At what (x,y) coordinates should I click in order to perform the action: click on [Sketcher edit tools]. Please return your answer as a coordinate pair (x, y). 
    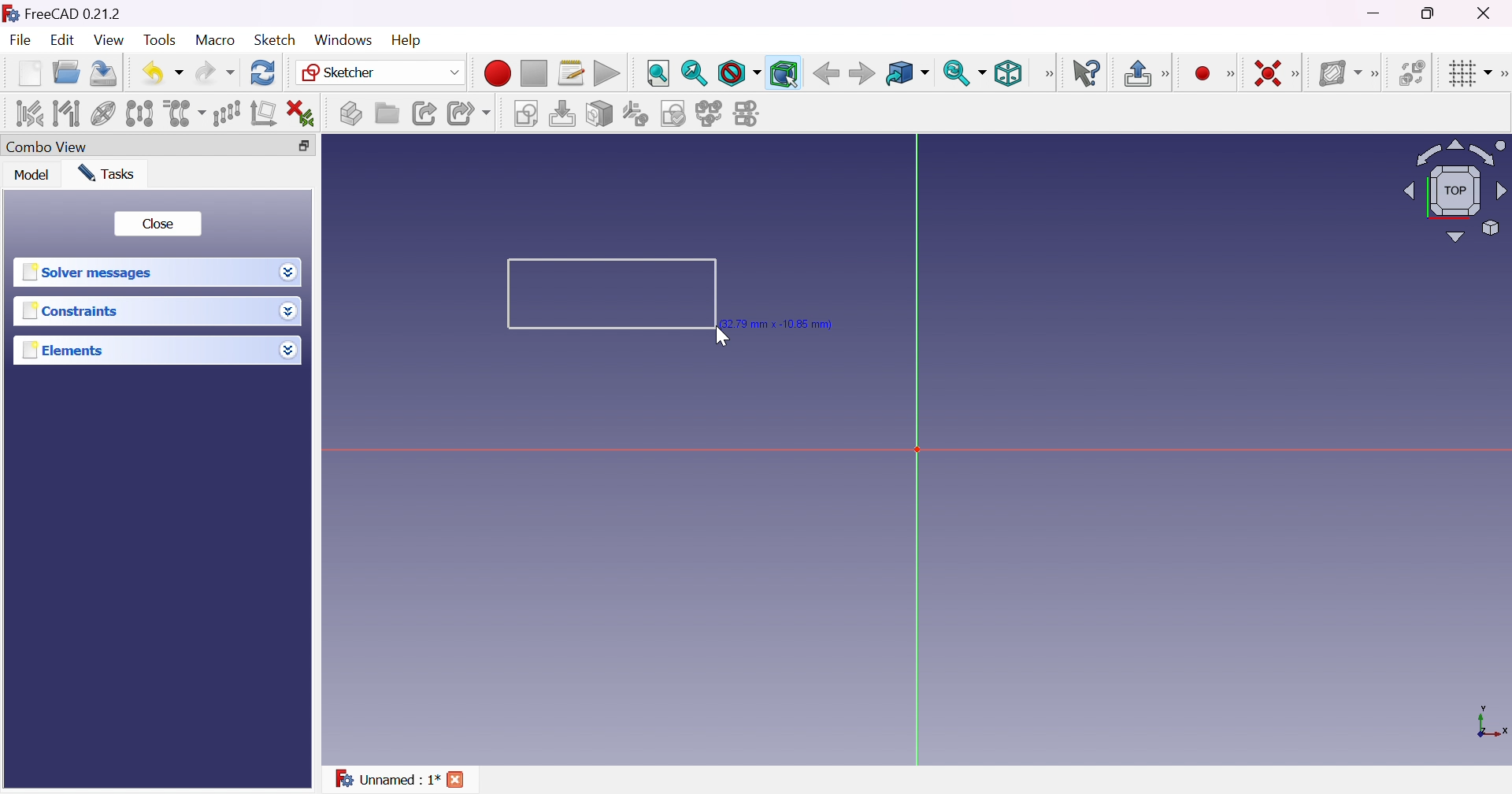
    Looking at the image, I should click on (1503, 74).